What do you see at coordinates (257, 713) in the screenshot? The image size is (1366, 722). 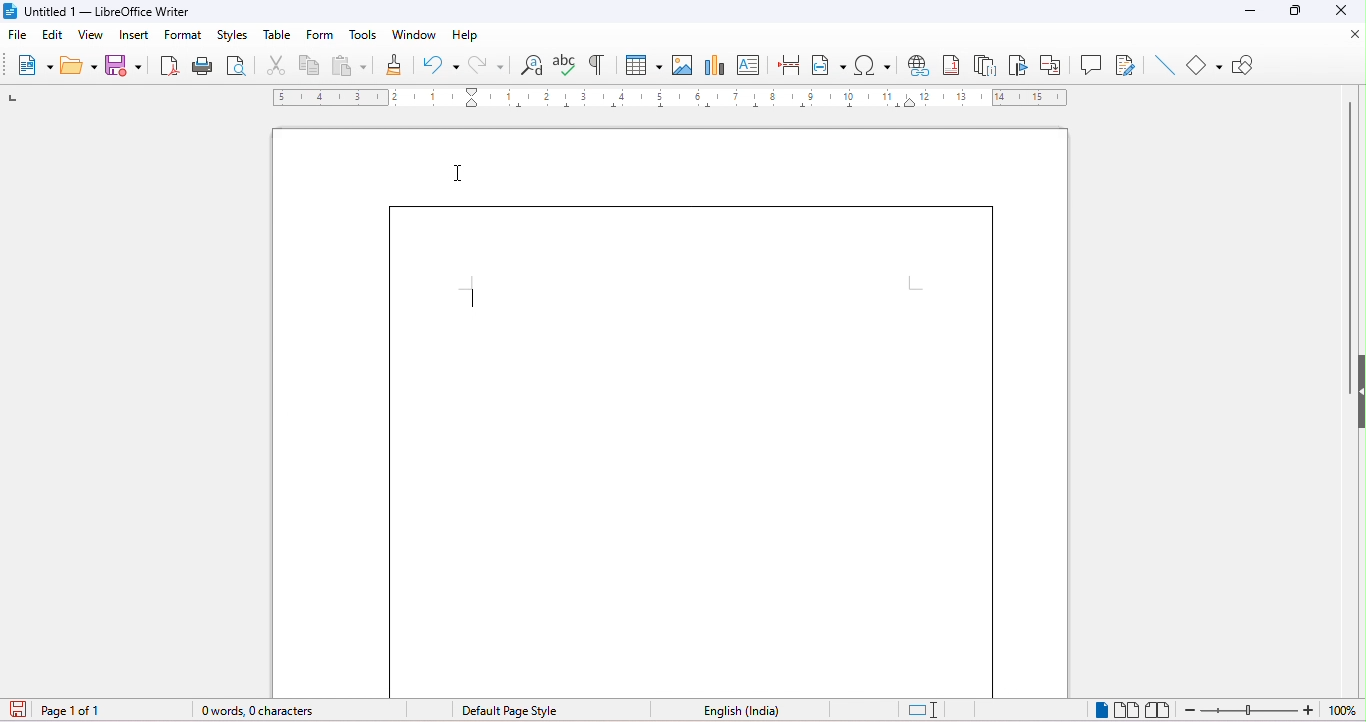 I see `word and character count` at bounding box center [257, 713].